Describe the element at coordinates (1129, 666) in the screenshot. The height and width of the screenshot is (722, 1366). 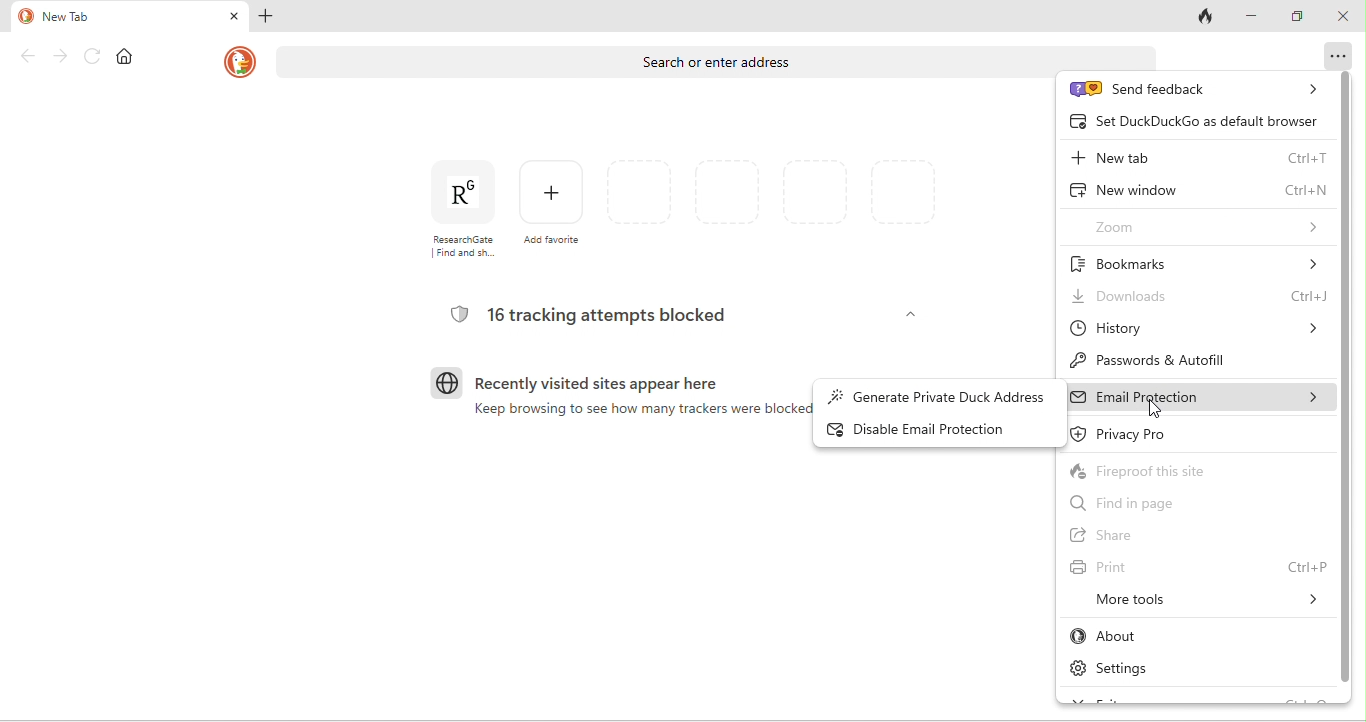
I see `settings` at that location.